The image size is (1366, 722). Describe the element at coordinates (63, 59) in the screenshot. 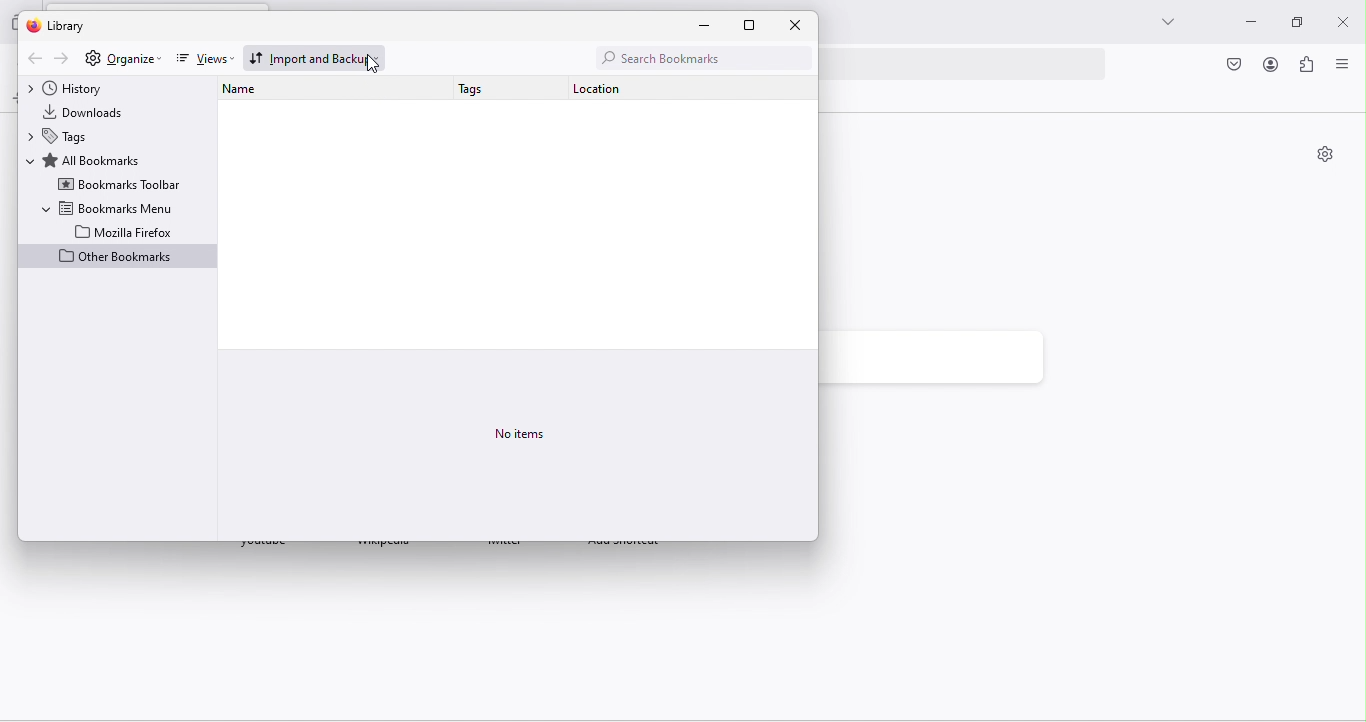

I see `forward` at that location.